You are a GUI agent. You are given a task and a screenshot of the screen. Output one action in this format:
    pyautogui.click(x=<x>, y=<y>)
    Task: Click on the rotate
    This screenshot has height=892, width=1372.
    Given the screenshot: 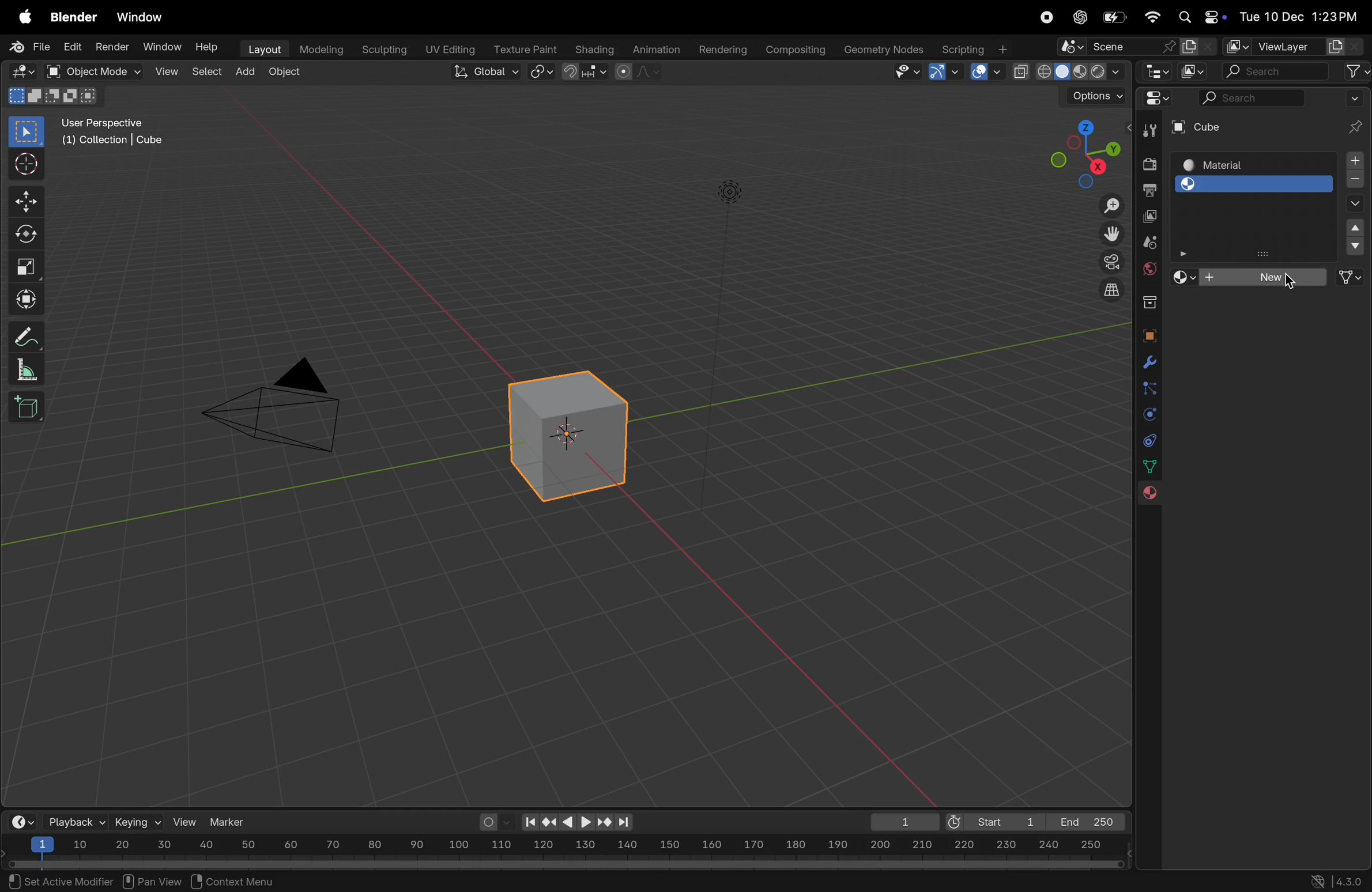 What is the action you would take?
    pyautogui.click(x=24, y=235)
    